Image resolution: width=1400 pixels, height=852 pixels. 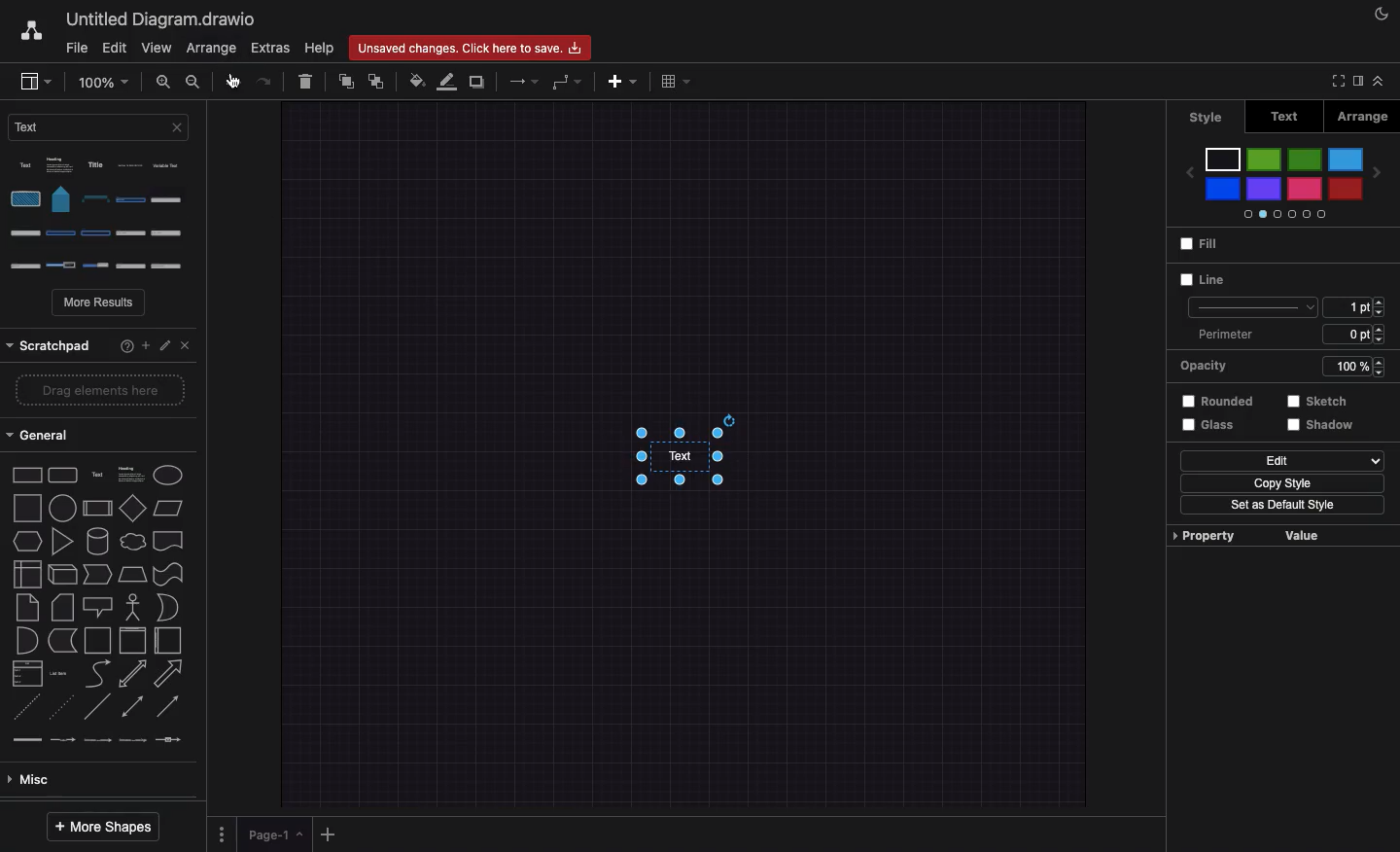 What do you see at coordinates (1281, 505) in the screenshot?
I see `Set as default style` at bounding box center [1281, 505].